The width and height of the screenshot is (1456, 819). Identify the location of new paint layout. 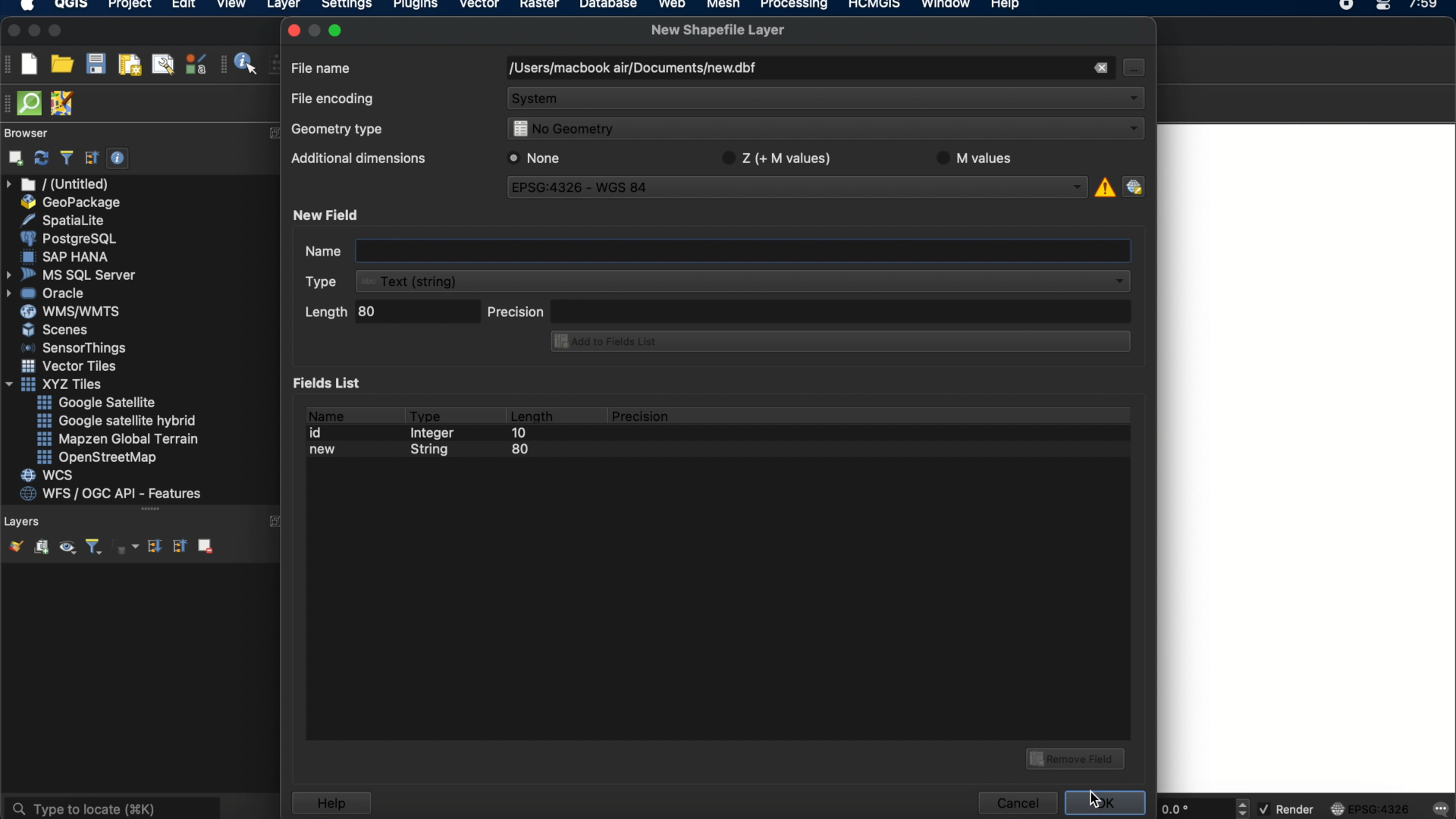
(128, 66).